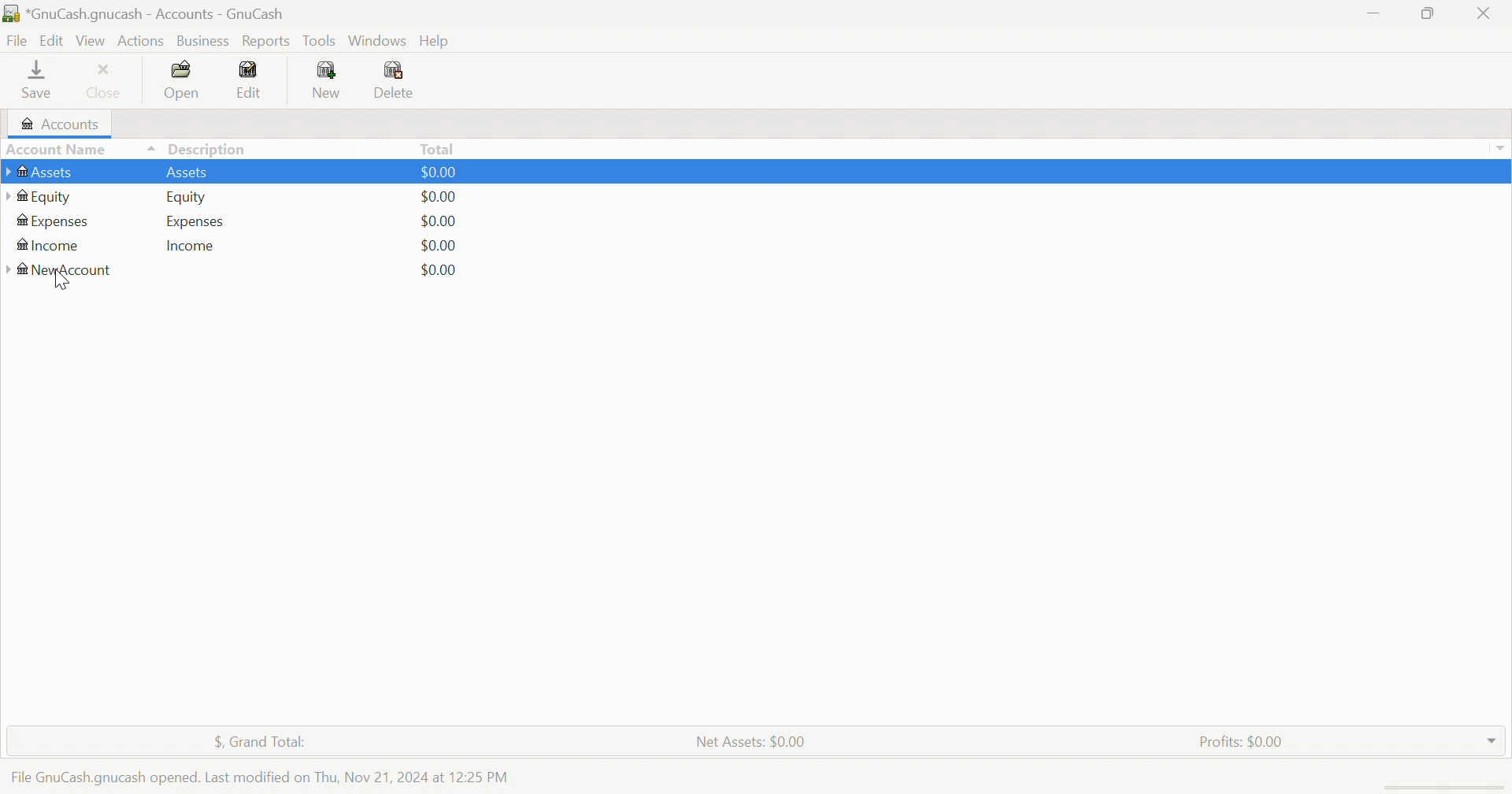 Image resolution: width=1512 pixels, height=794 pixels. What do you see at coordinates (36, 78) in the screenshot?
I see `Save` at bounding box center [36, 78].